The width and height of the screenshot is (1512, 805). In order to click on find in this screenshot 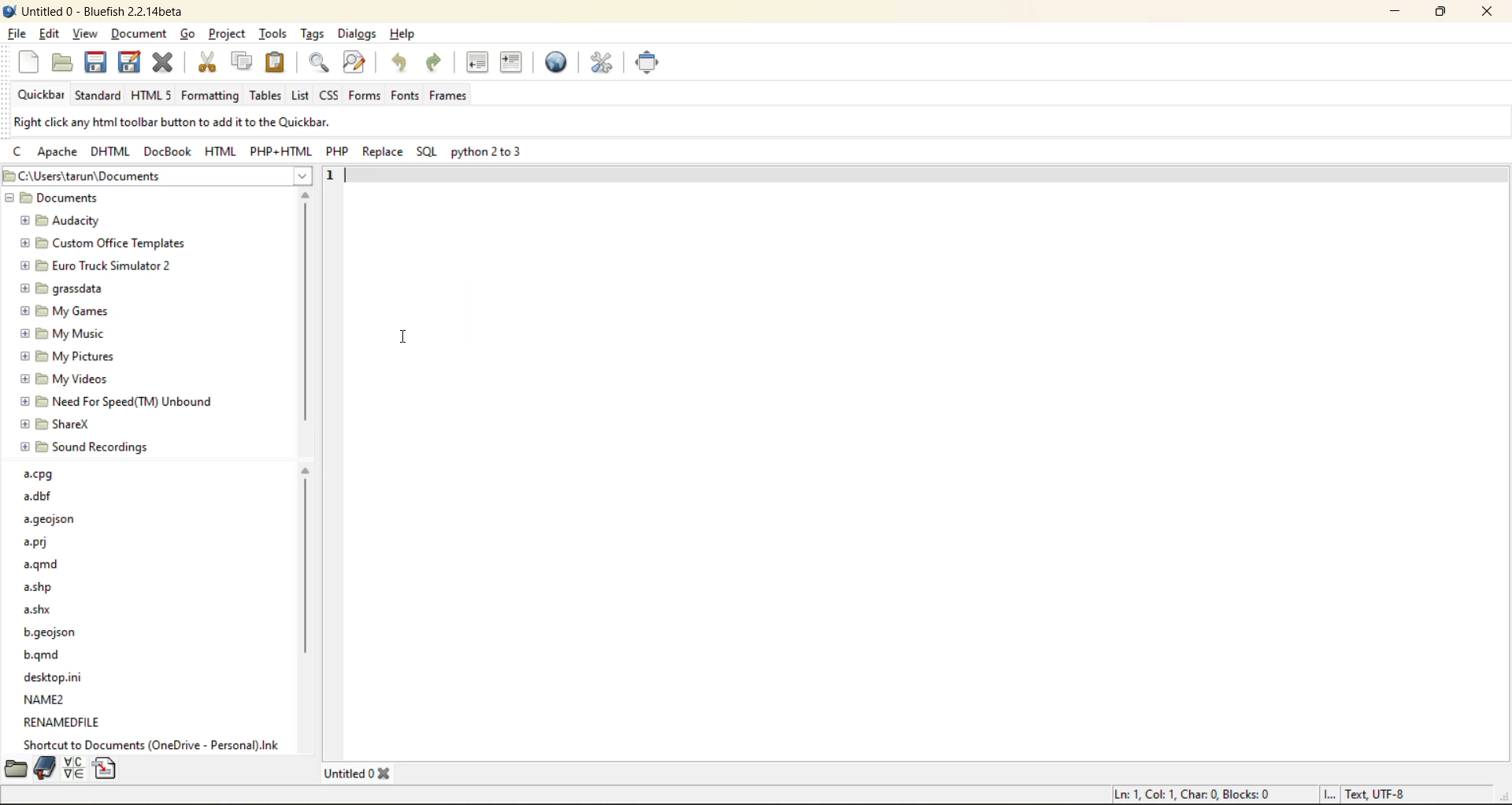, I will do `click(320, 64)`.